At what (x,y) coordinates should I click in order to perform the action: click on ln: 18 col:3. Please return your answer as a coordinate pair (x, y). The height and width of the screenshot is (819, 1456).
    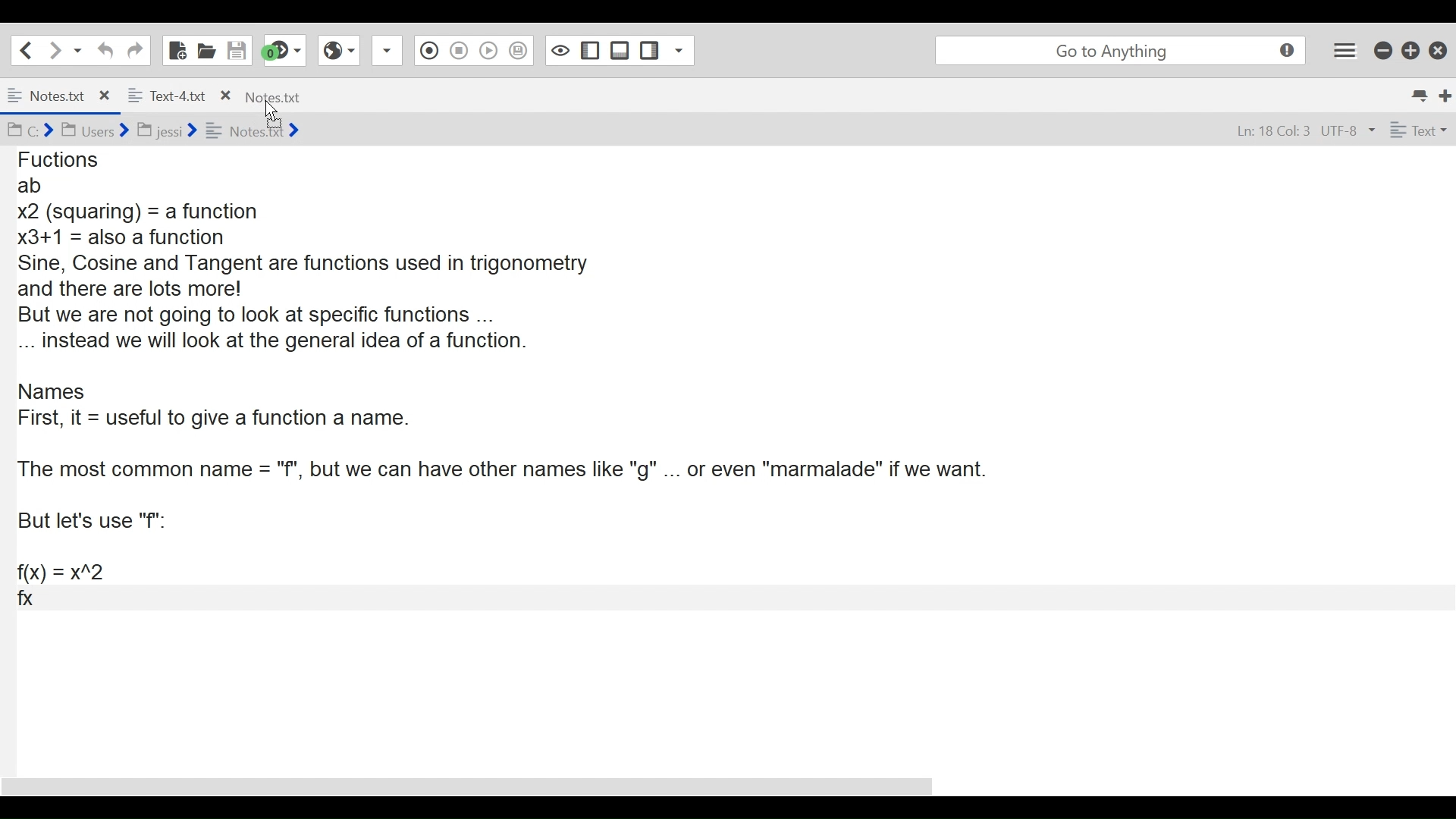
    Looking at the image, I should click on (1269, 132).